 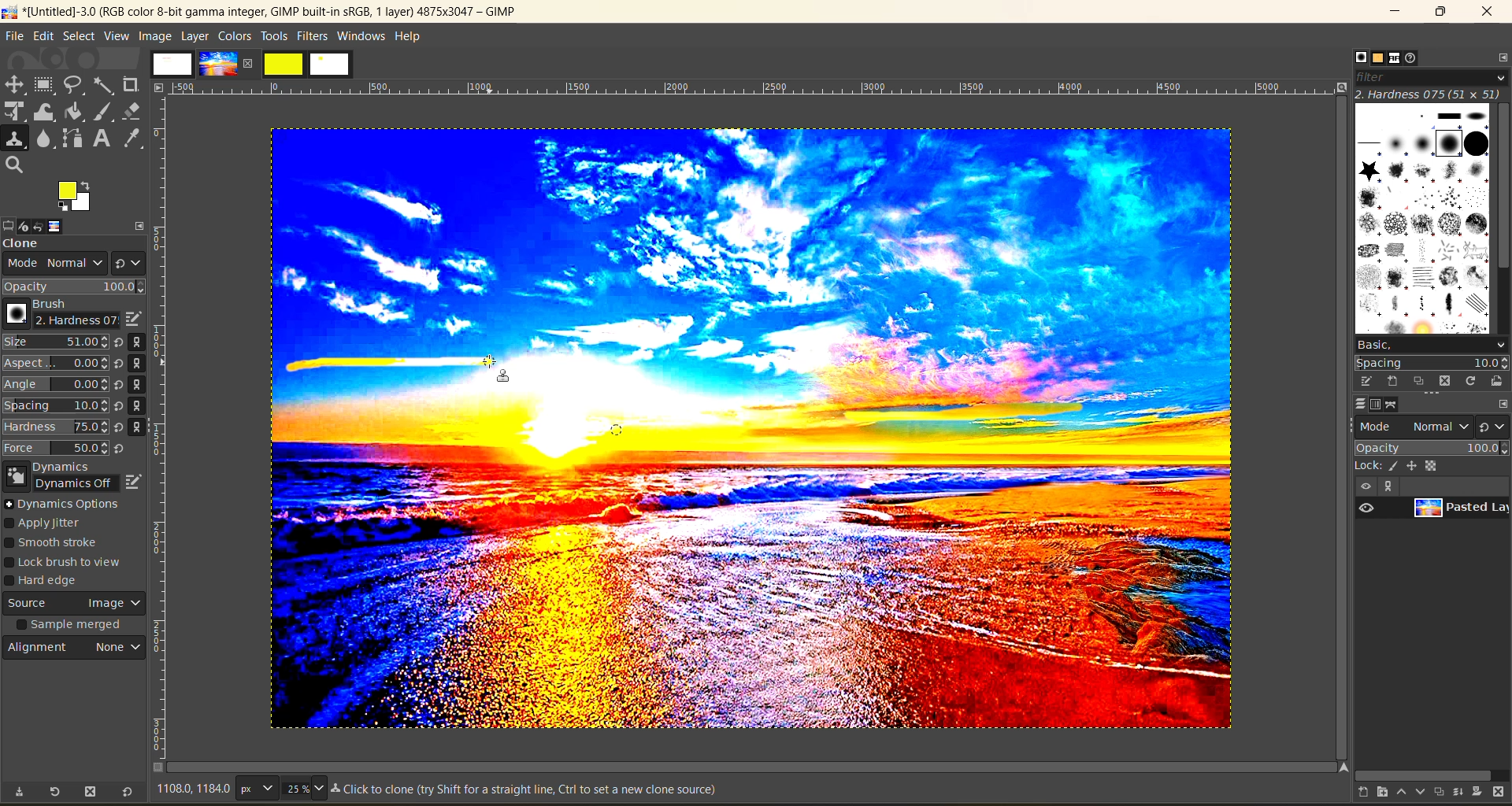 What do you see at coordinates (48, 225) in the screenshot?
I see `undo` at bounding box center [48, 225].